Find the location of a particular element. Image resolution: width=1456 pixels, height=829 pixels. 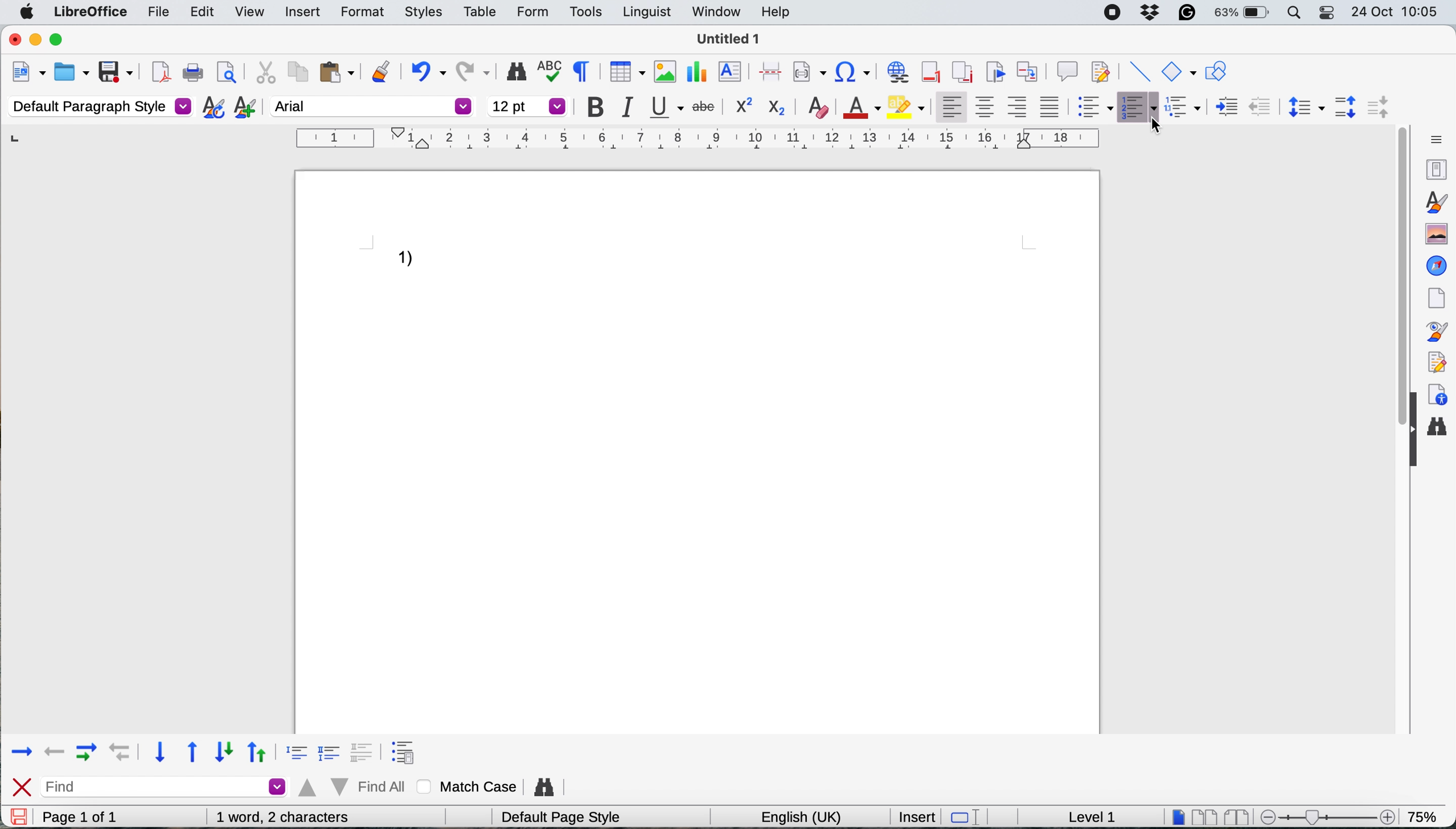

superscript is located at coordinates (741, 105).